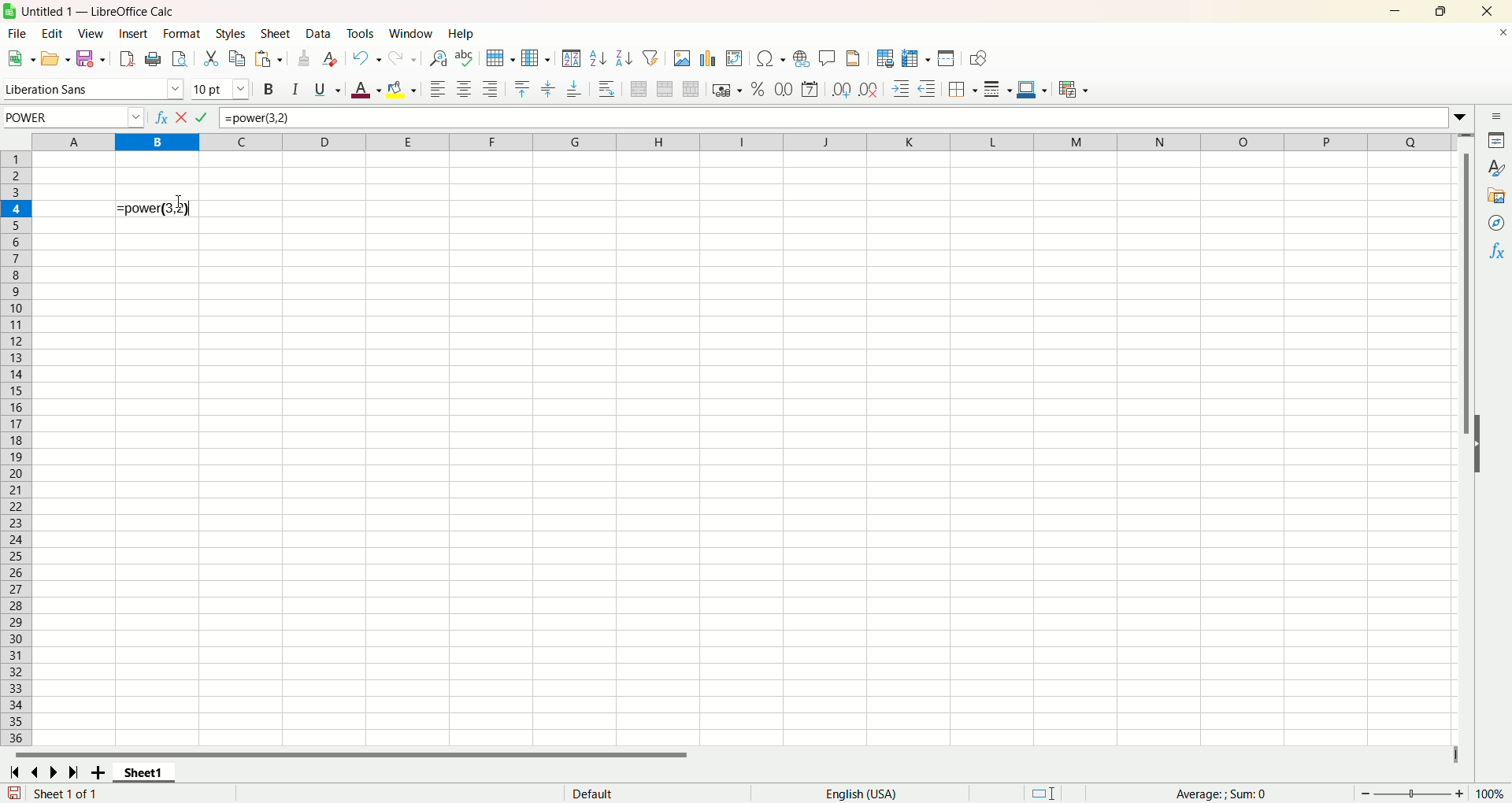  What do you see at coordinates (276, 35) in the screenshot?
I see `sheet` at bounding box center [276, 35].